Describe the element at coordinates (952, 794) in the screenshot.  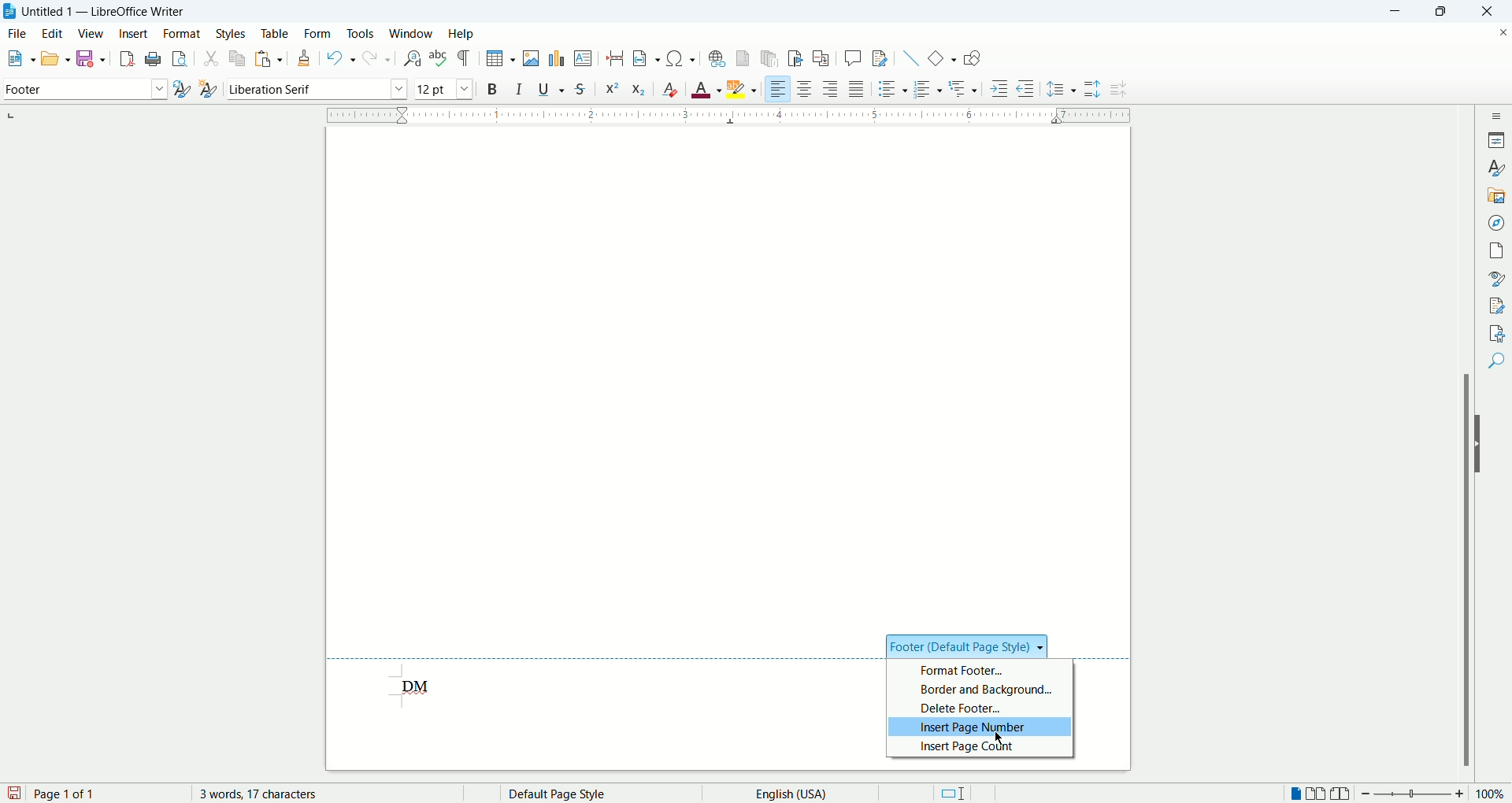
I see `standard selection` at that location.